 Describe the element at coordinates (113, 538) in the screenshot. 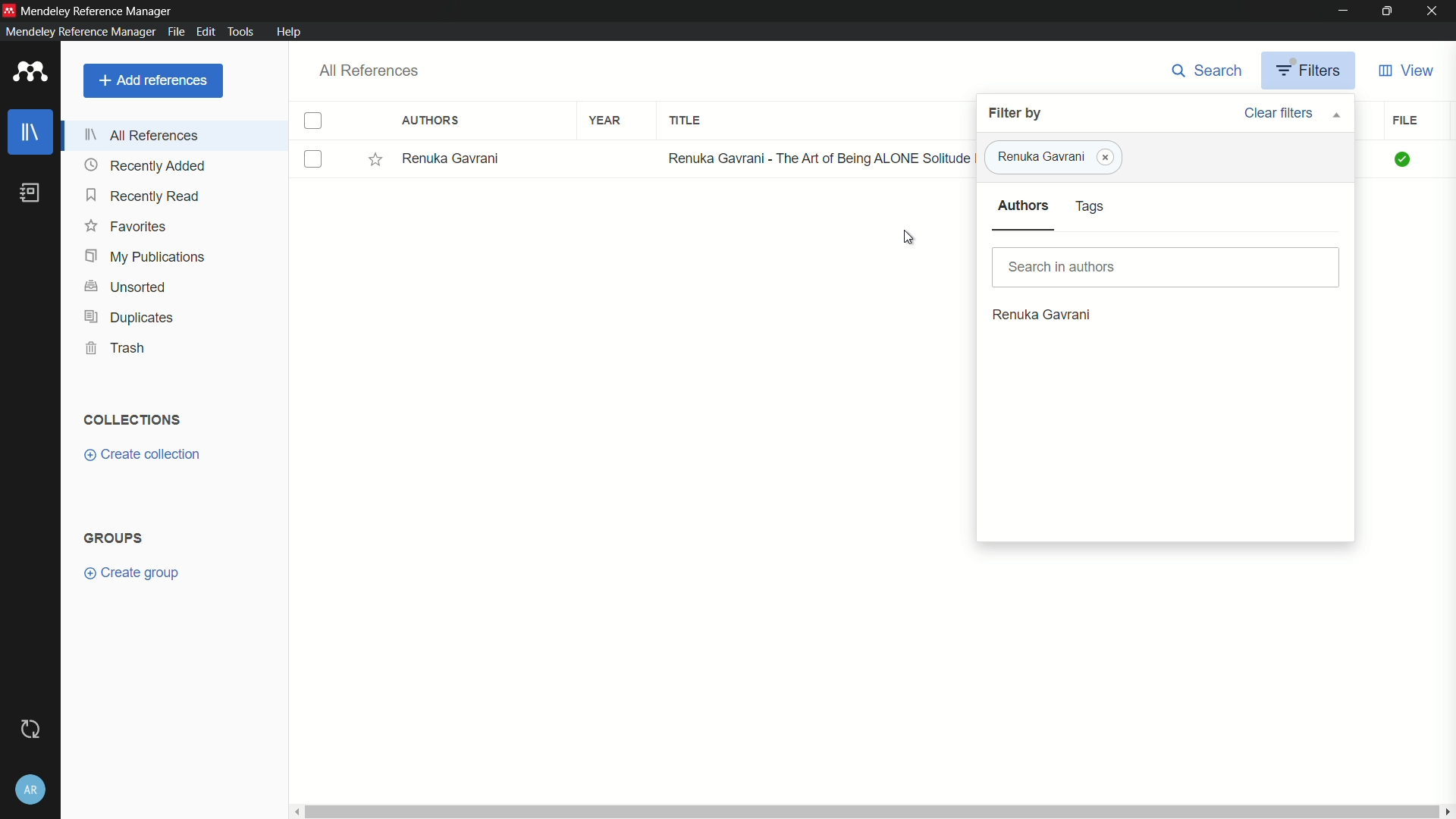

I see `groups` at that location.